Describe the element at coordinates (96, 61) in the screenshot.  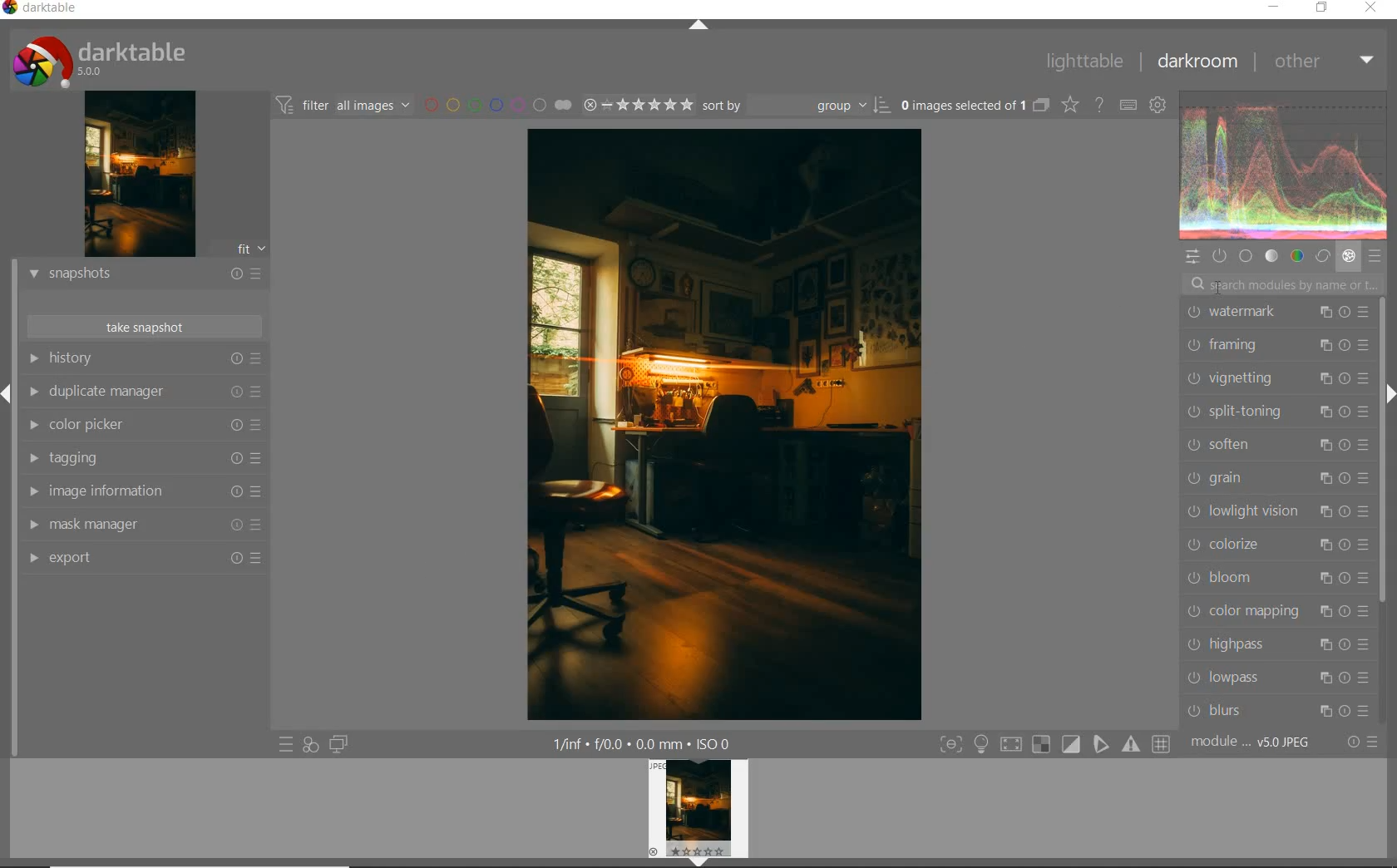
I see `system logo` at that location.